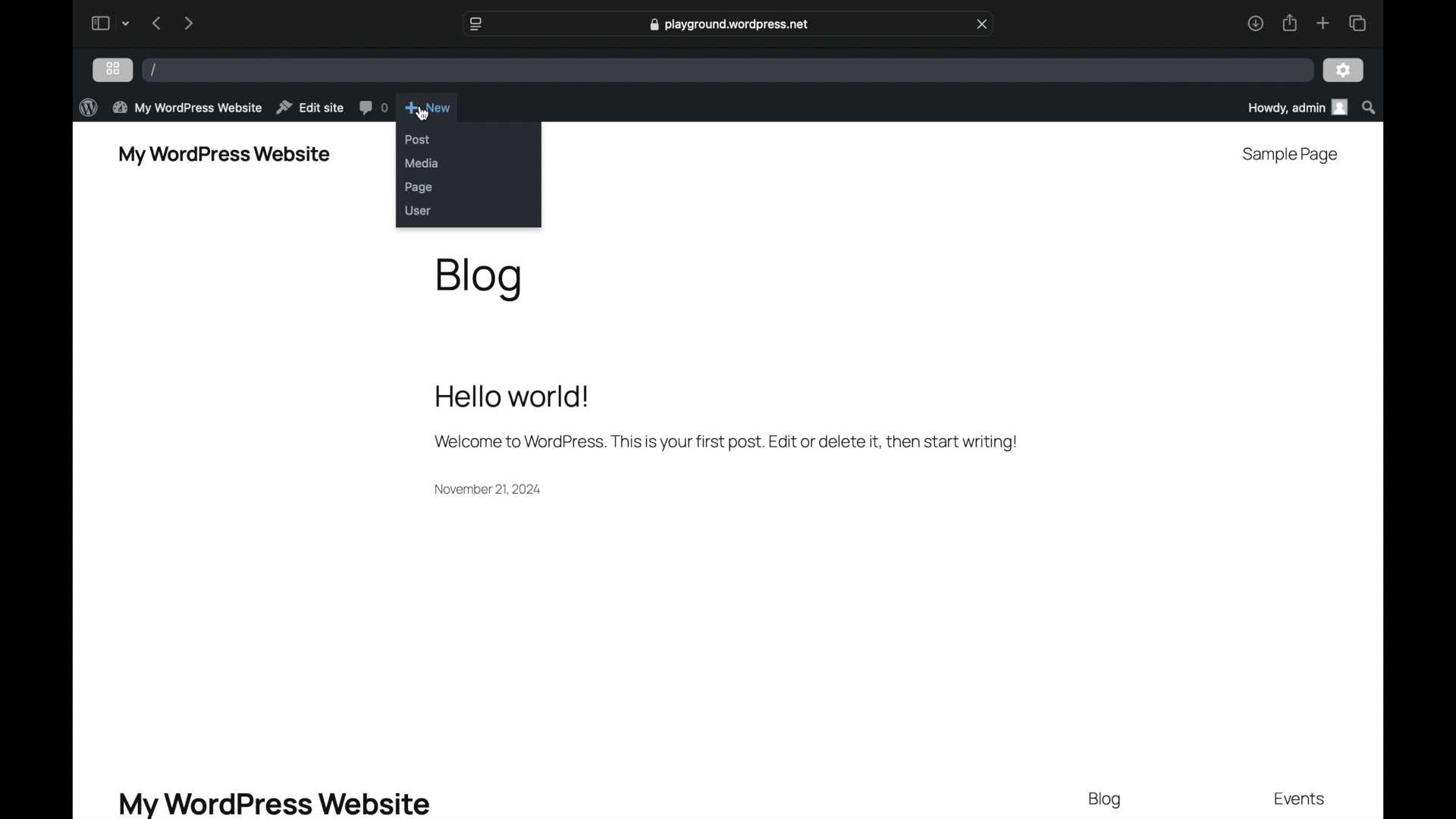  Describe the element at coordinates (87, 107) in the screenshot. I see `wordpress` at that location.